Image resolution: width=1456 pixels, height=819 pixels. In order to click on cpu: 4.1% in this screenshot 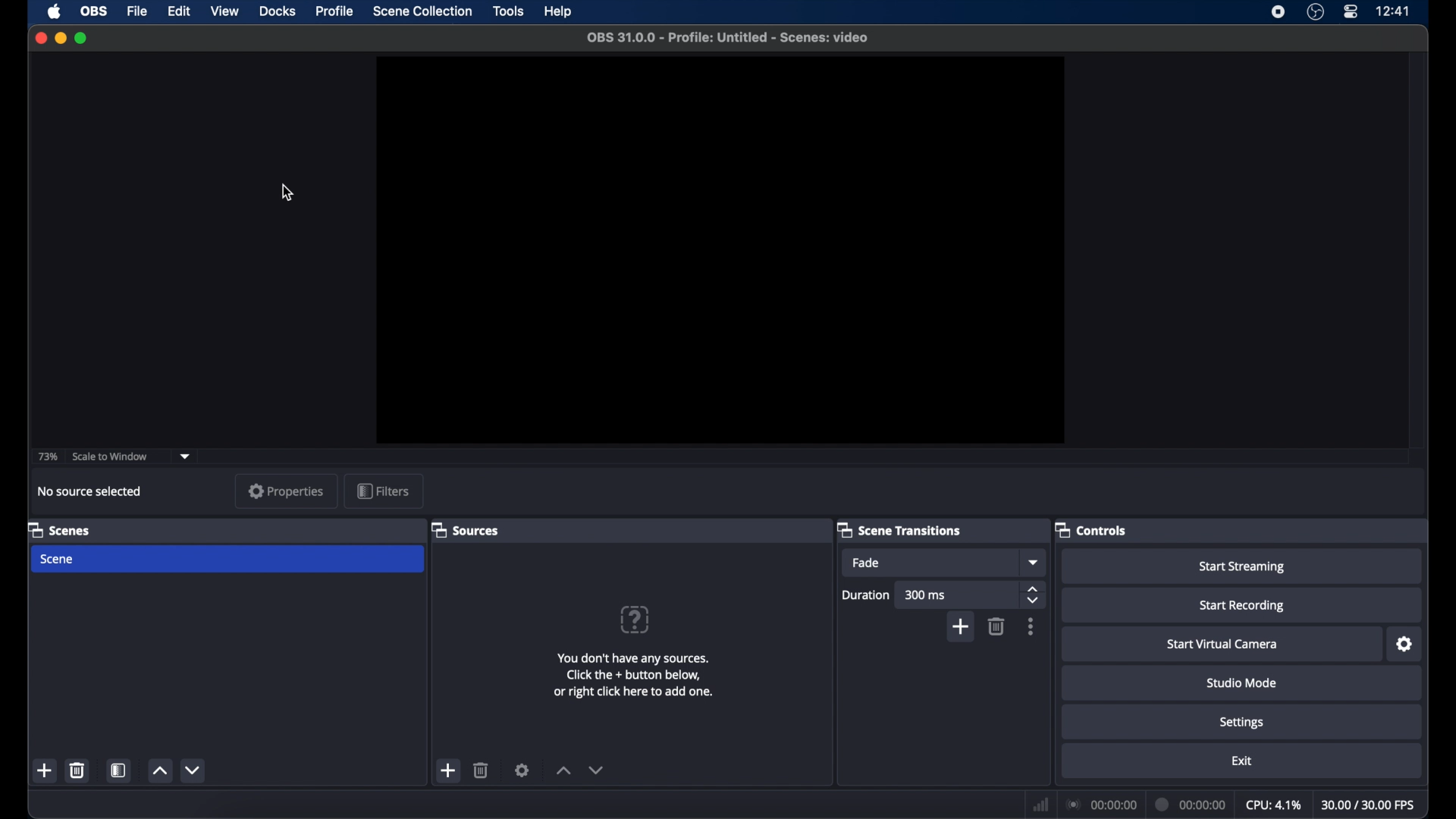, I will do `click(1274, 803)`.